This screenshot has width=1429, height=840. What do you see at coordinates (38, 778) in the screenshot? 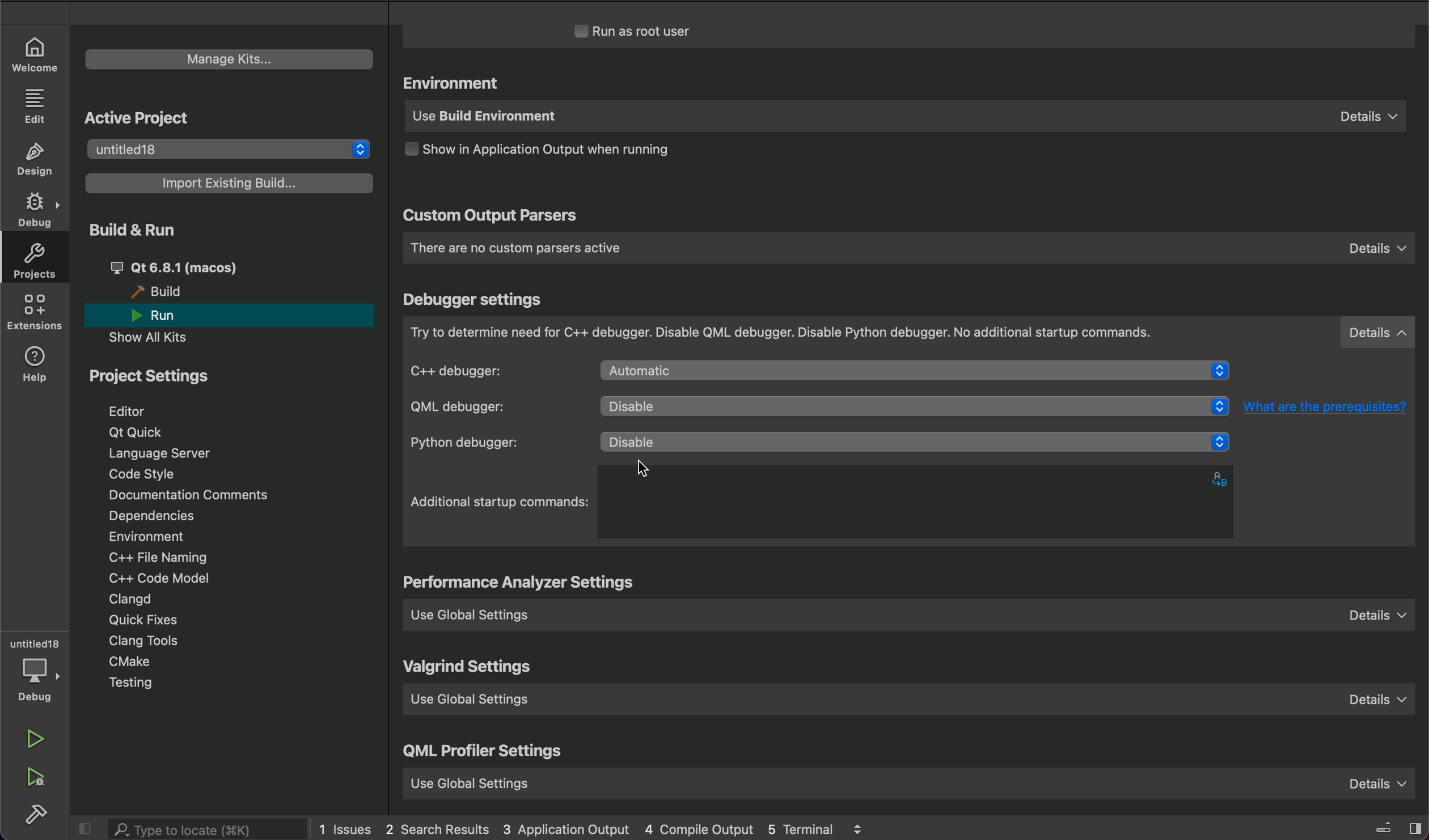
I see `run debug` at bounding box center [38, 778].